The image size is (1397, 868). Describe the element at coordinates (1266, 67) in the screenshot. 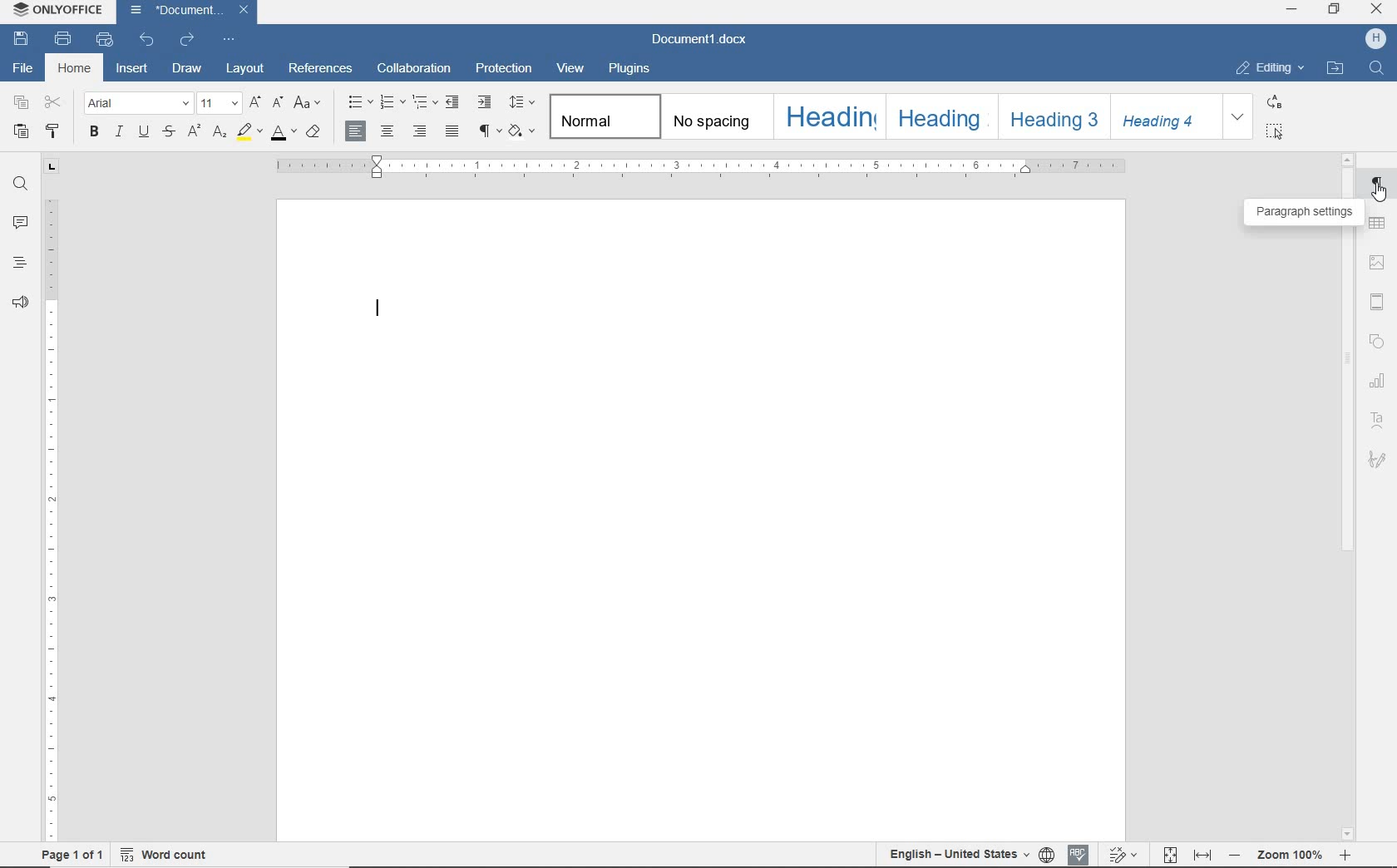

I see `EDITING` at that location.